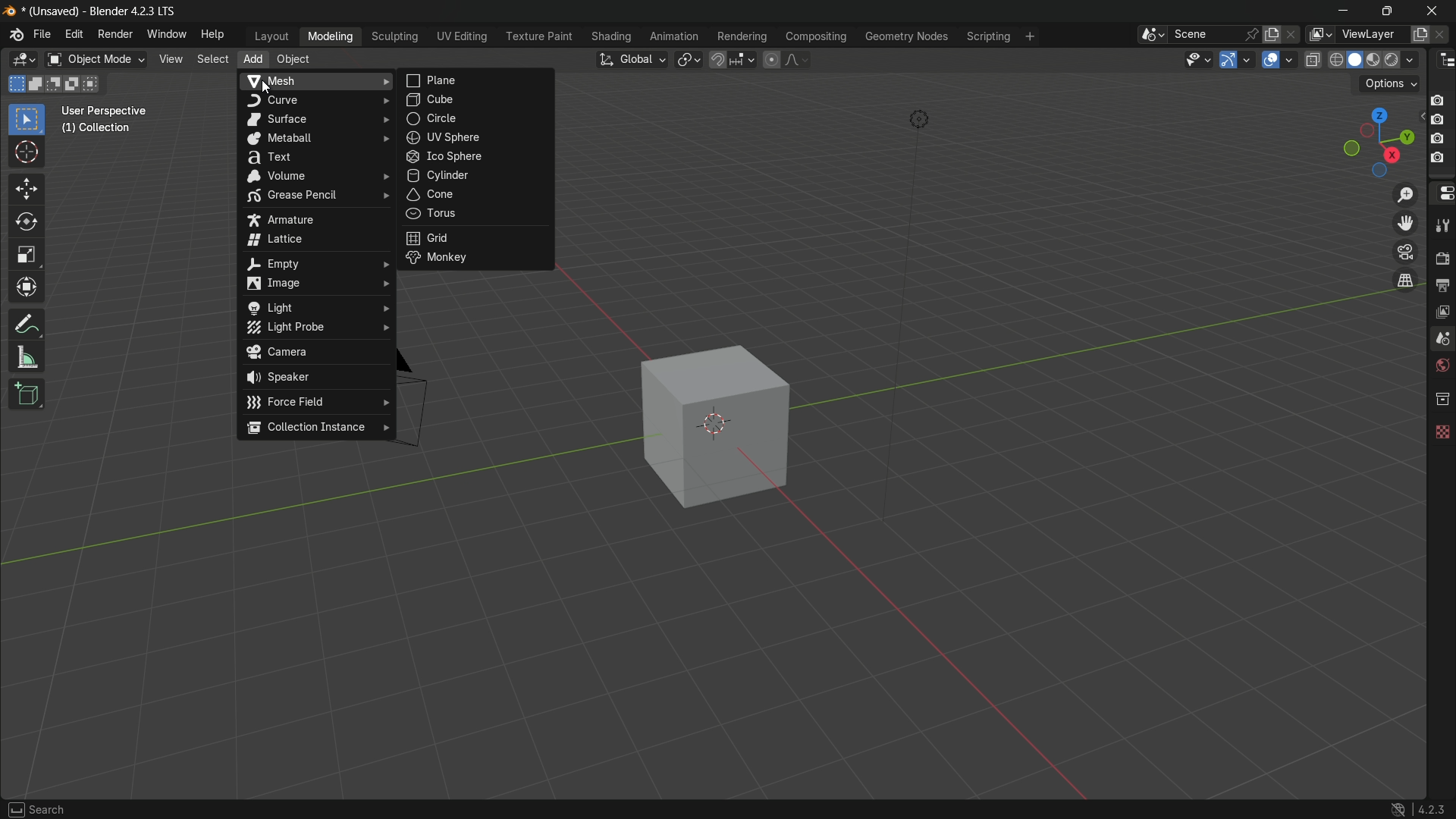 Image resolution: width=1456 pixels, height=819 pixels. What do you see at coordinates (315, 158) in the screenshot?
I see `text` at bounding box center [315, 158].